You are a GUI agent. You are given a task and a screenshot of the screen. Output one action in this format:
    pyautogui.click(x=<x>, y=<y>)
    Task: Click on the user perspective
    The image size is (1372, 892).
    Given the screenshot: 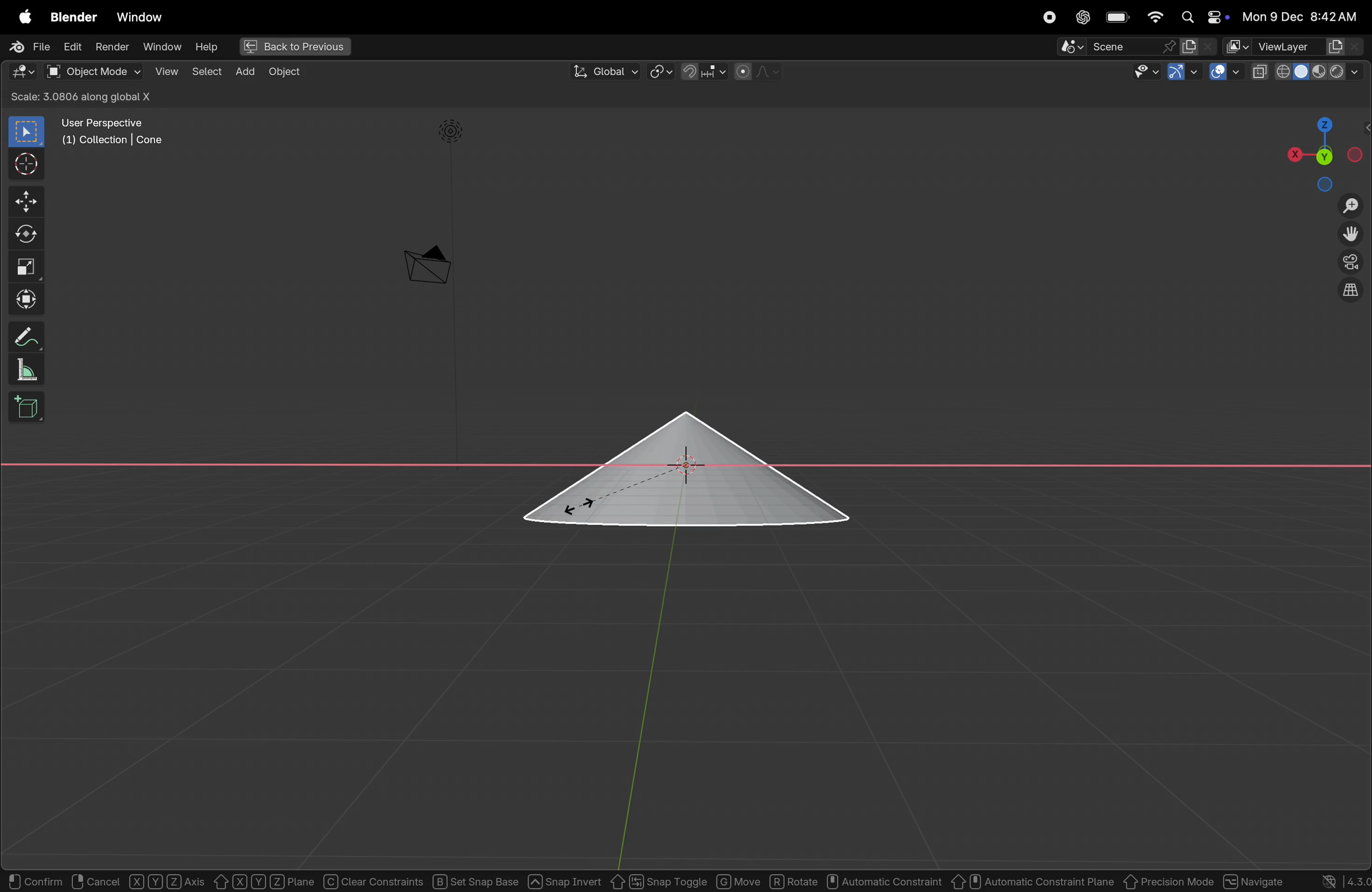 What is the action you would take?
    pyautogui.click(x=114, y=130)
    